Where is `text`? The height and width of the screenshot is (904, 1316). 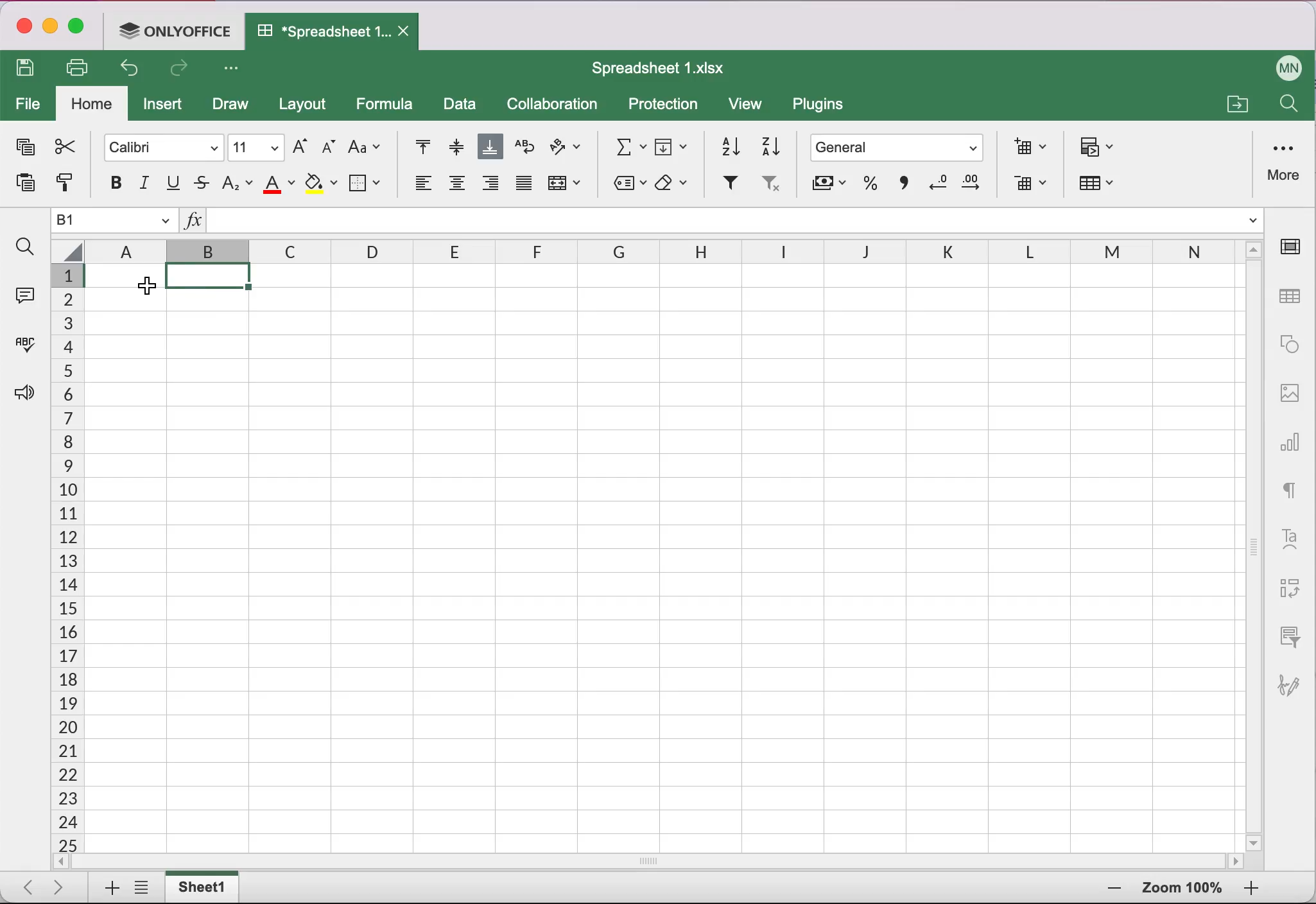
text is located at coordinates (1290, 487).